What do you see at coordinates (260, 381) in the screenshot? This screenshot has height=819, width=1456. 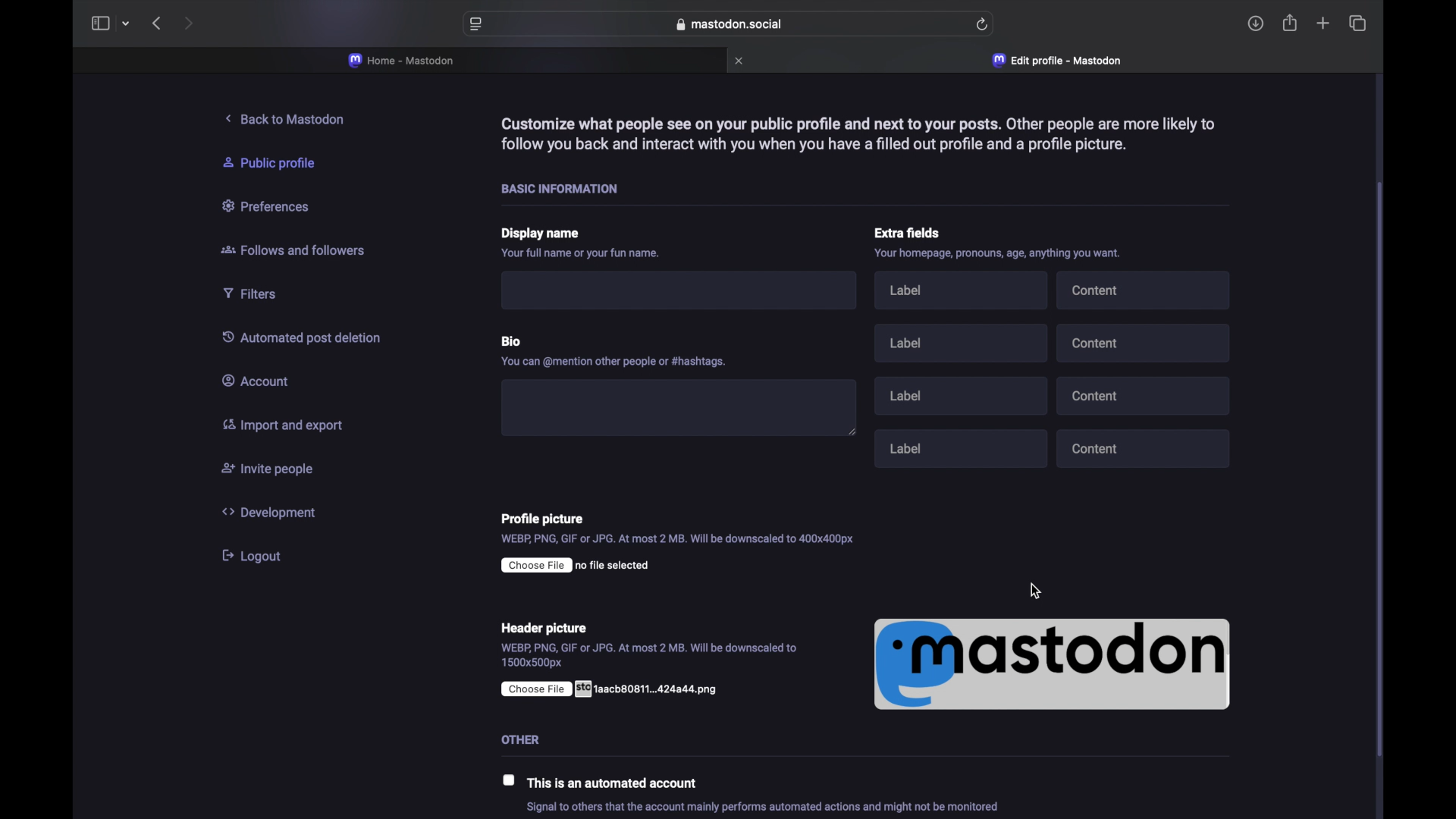 I see `account` at bounding box center [260, 381].